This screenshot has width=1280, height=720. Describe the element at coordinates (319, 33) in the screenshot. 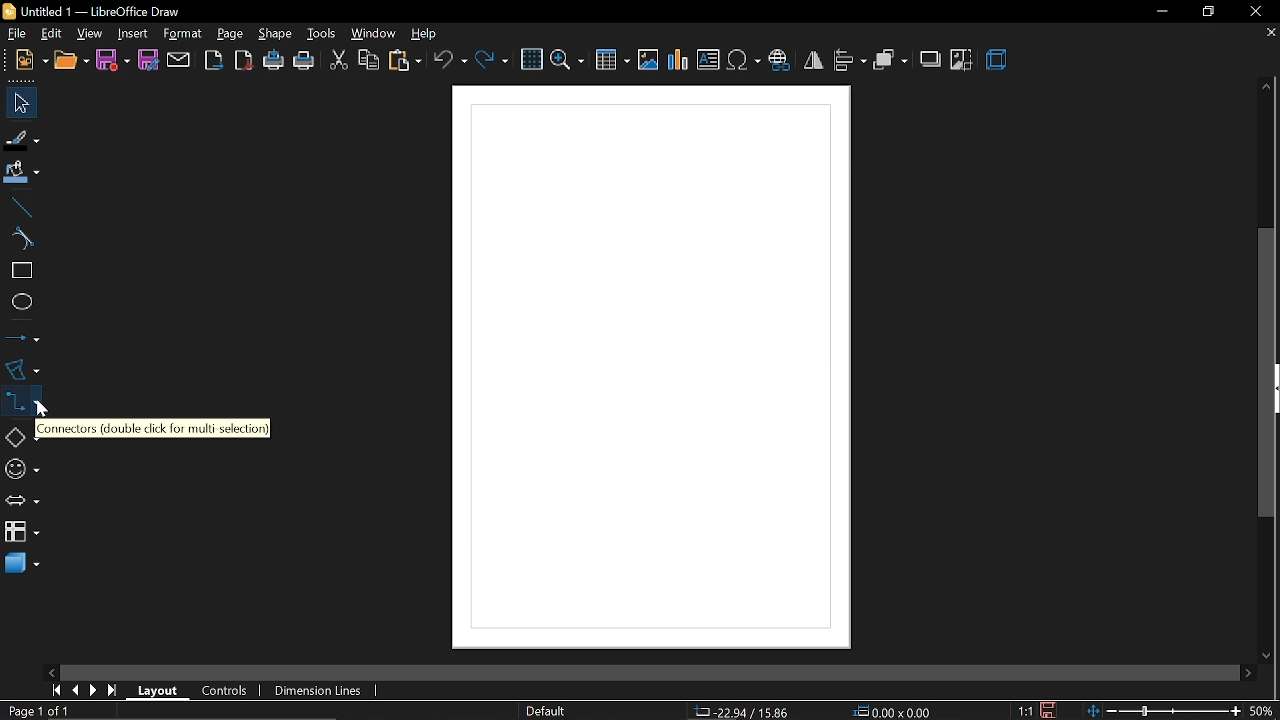

I see `tools` at that location.